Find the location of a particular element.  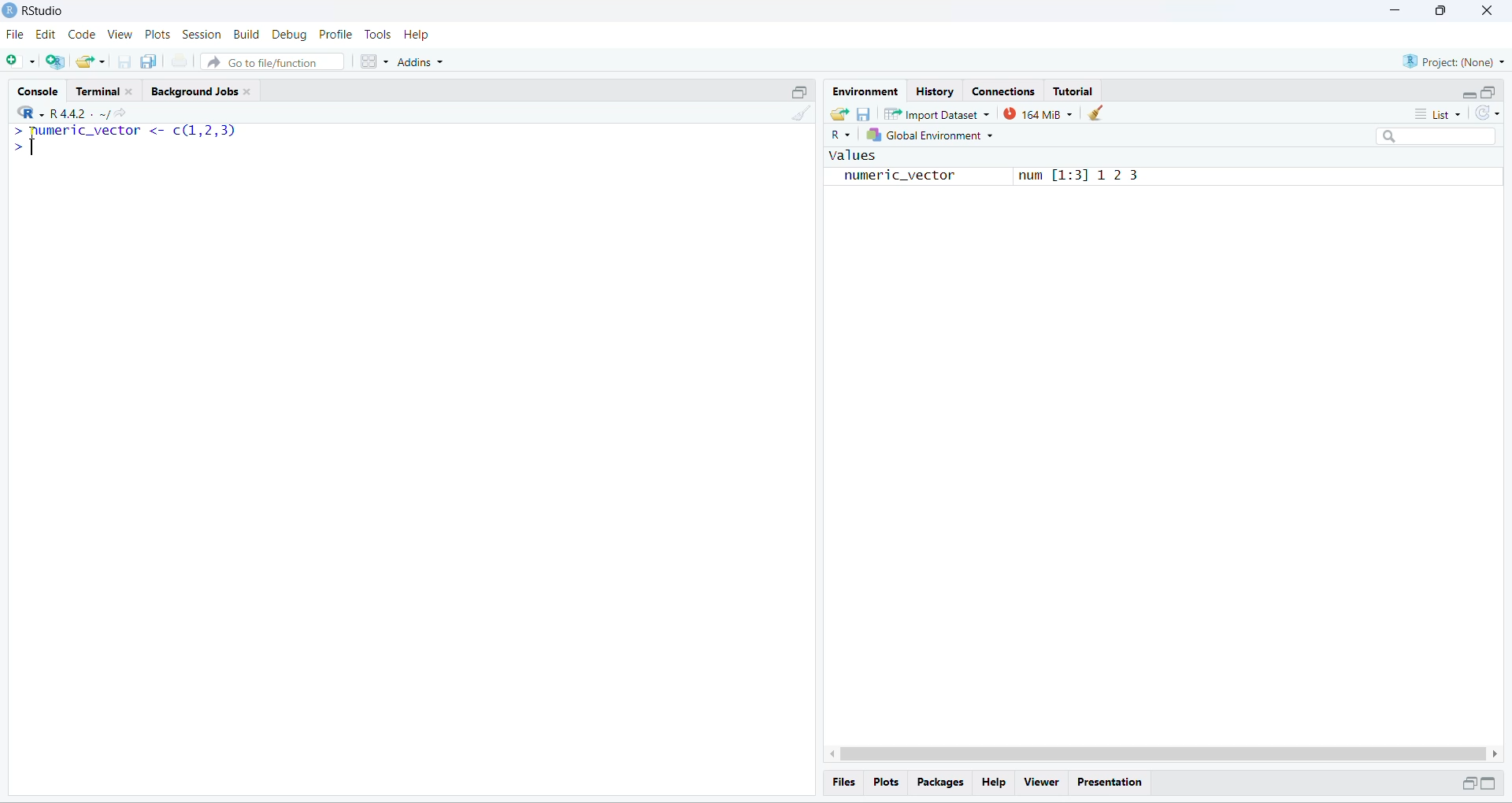

163 MB is located at coordinates (1038, 114).